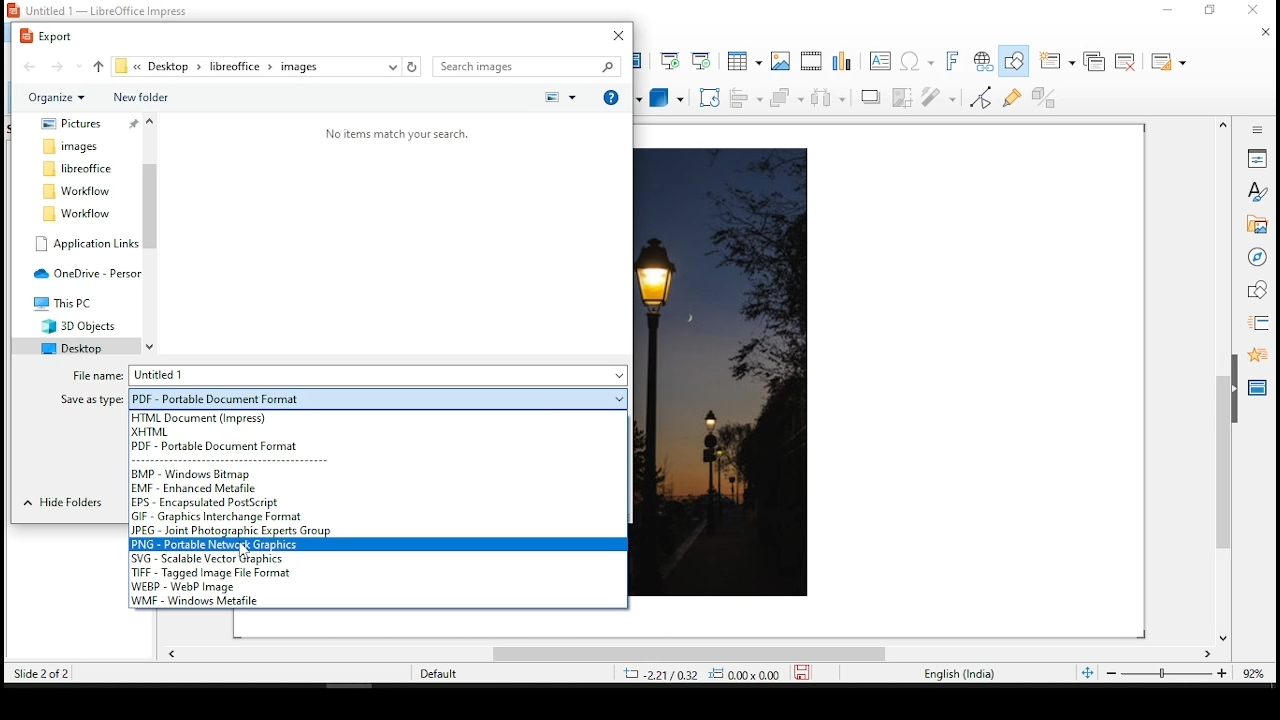 The width and height of the screenshot is (1280, 720). Describe the element at coordinates (1261, 324) in the screenshot. I see `slide transition` at that location.